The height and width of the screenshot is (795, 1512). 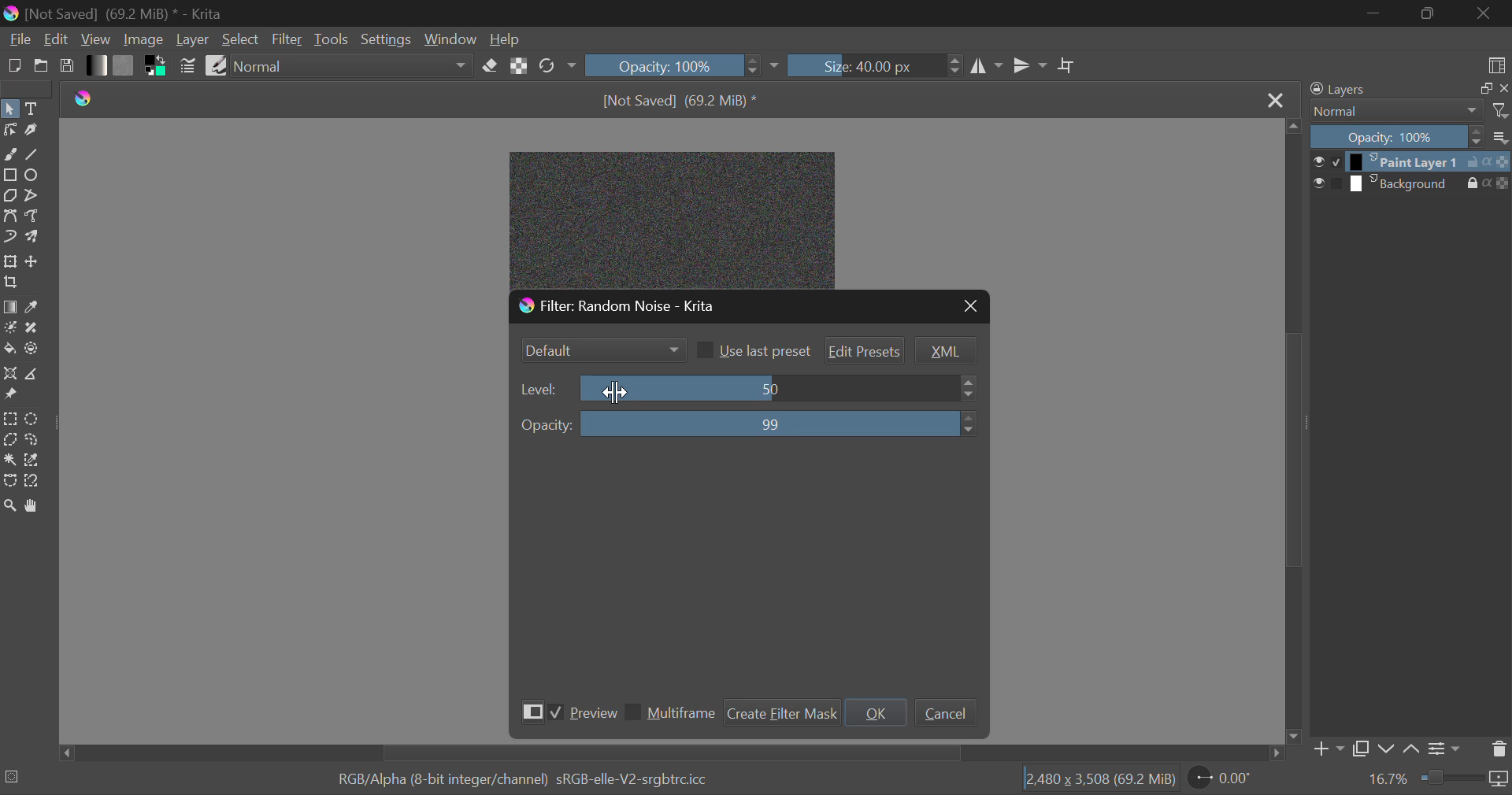 I want to click on options, so click(x=1501, y=135).